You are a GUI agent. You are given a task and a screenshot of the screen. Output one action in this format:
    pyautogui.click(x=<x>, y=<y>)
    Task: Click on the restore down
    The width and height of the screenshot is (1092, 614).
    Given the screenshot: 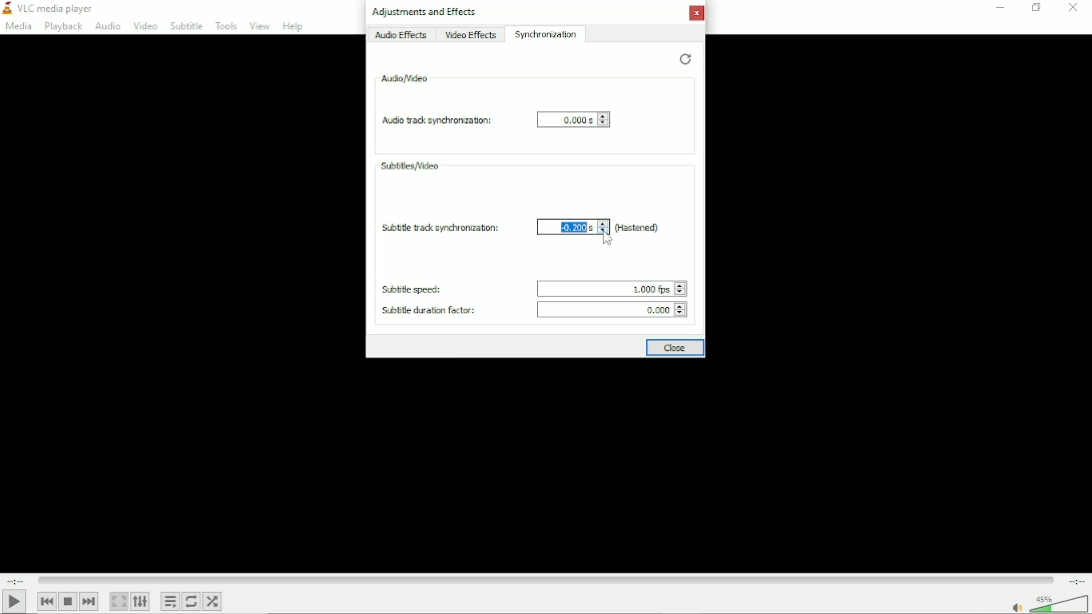 What is the action you would take?
    pyautogui.click(x=1036, y=7)
    